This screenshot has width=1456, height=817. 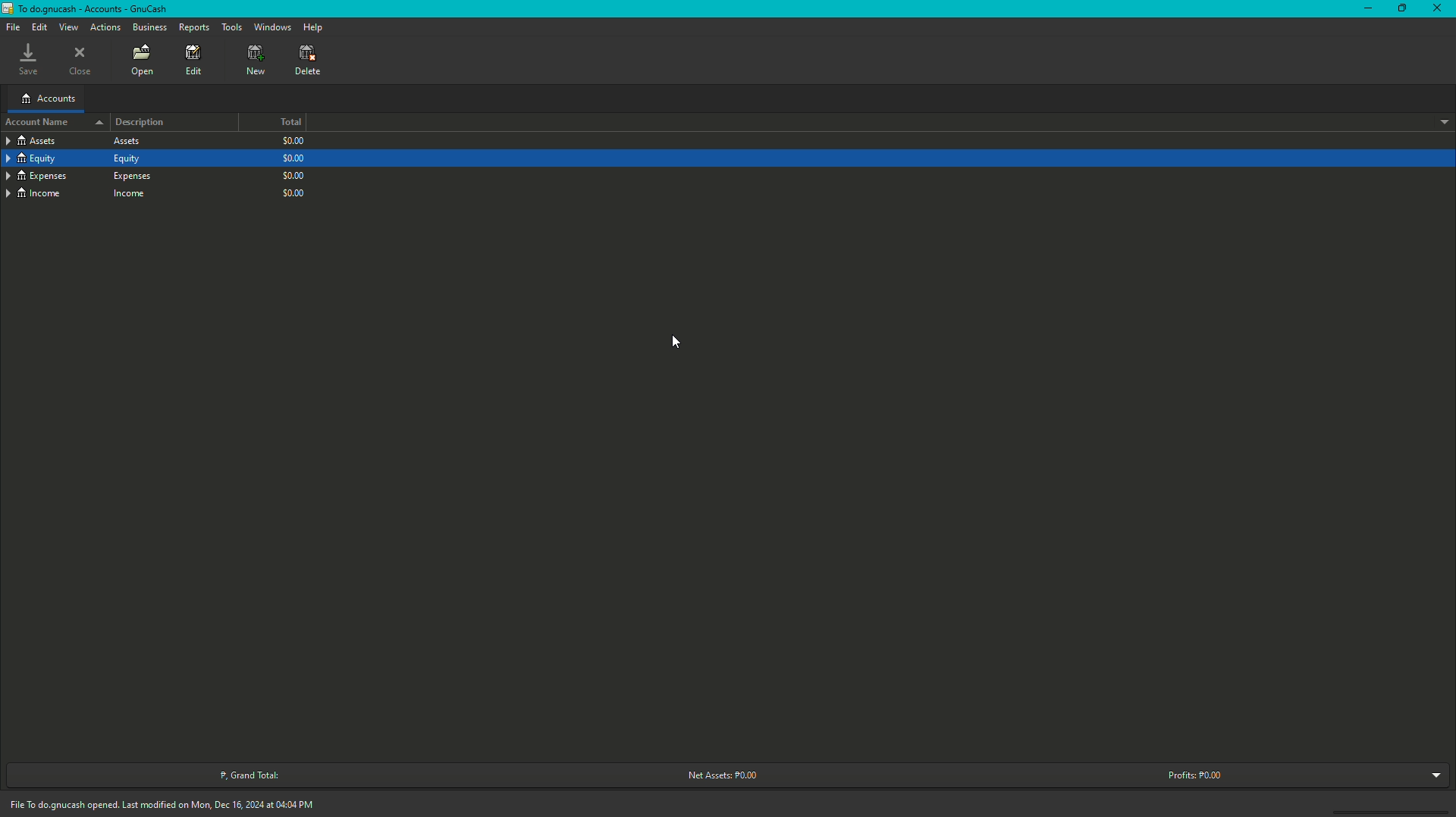 What do you see at coordinates (86, 9) in the screenshot?
I see `GnuCash` at bounding box center [86, 9].